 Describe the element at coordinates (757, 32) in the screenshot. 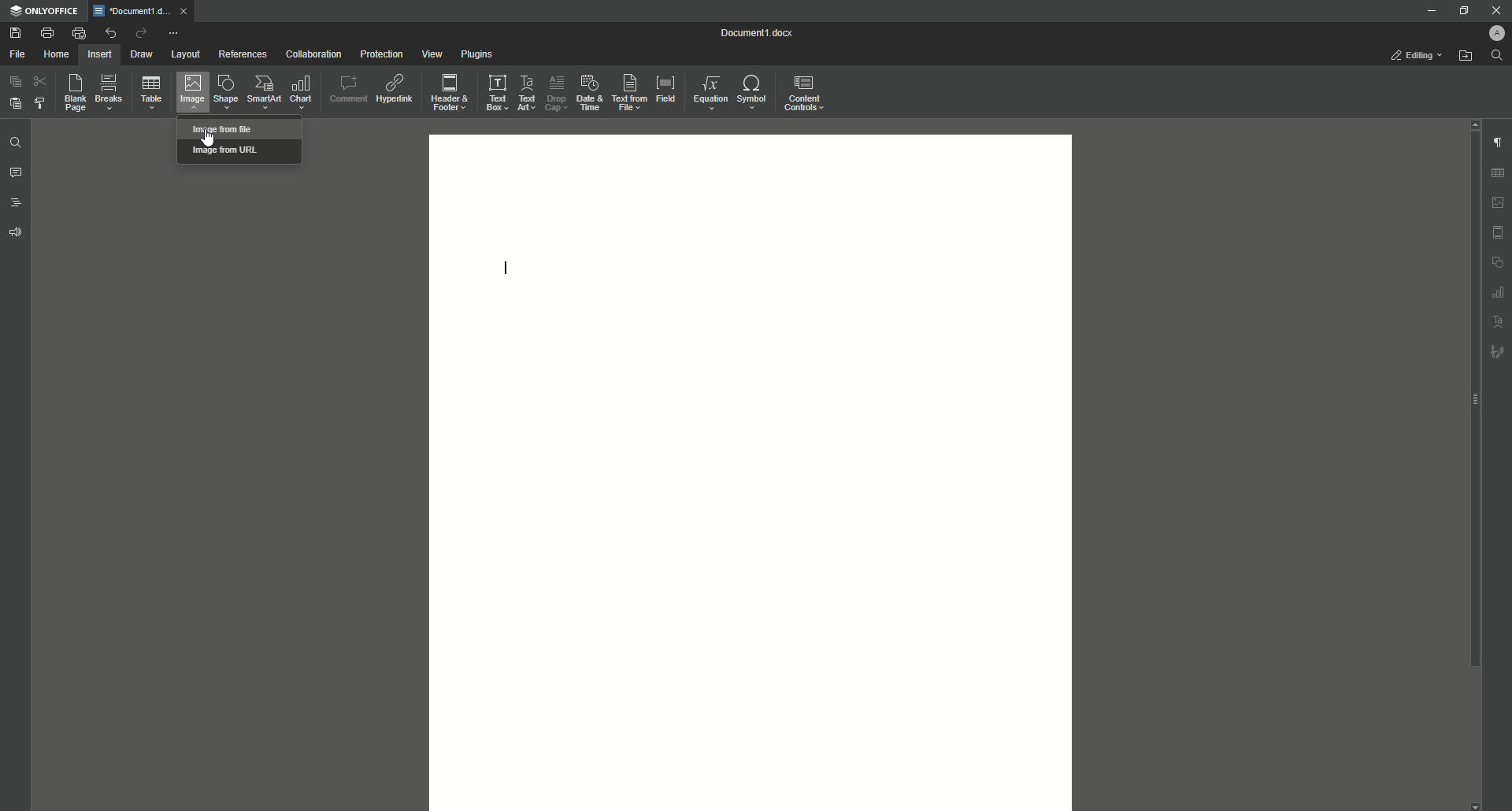

I see `Document1` at that location.